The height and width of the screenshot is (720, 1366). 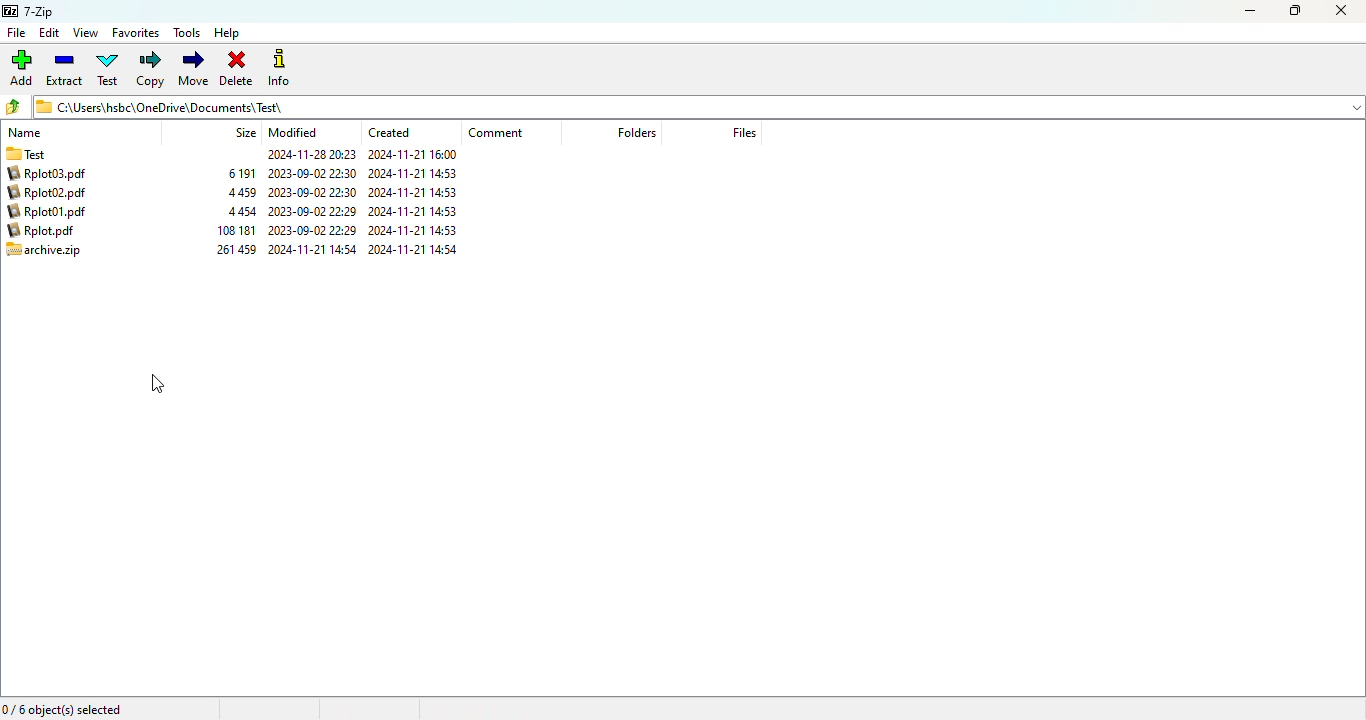 What do you see at coordinates (635, 132) in the screenshot?
I see `folders` at bounding box center [635, 132].